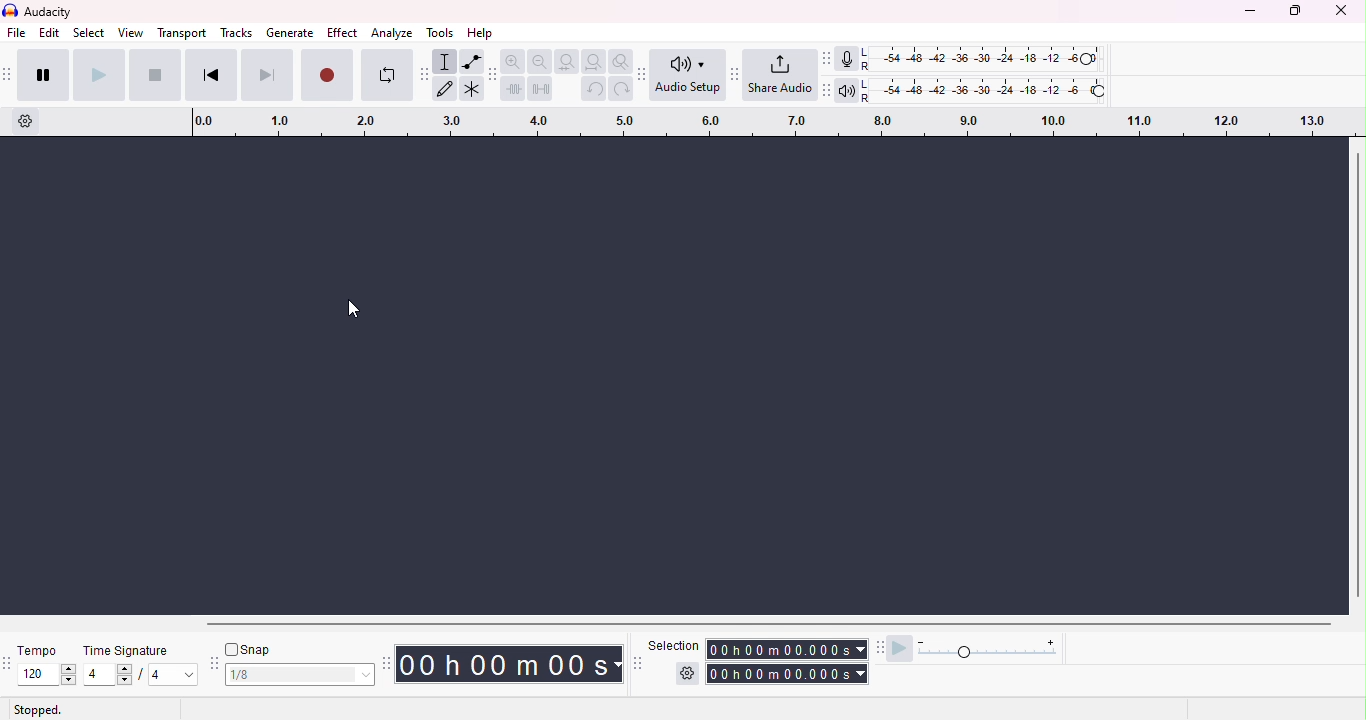 The image size is (1366, 720). What do you see at coordinates (427, 75) in the screenshot?
I see `tools tool bar` at bounding box center [427, 75].